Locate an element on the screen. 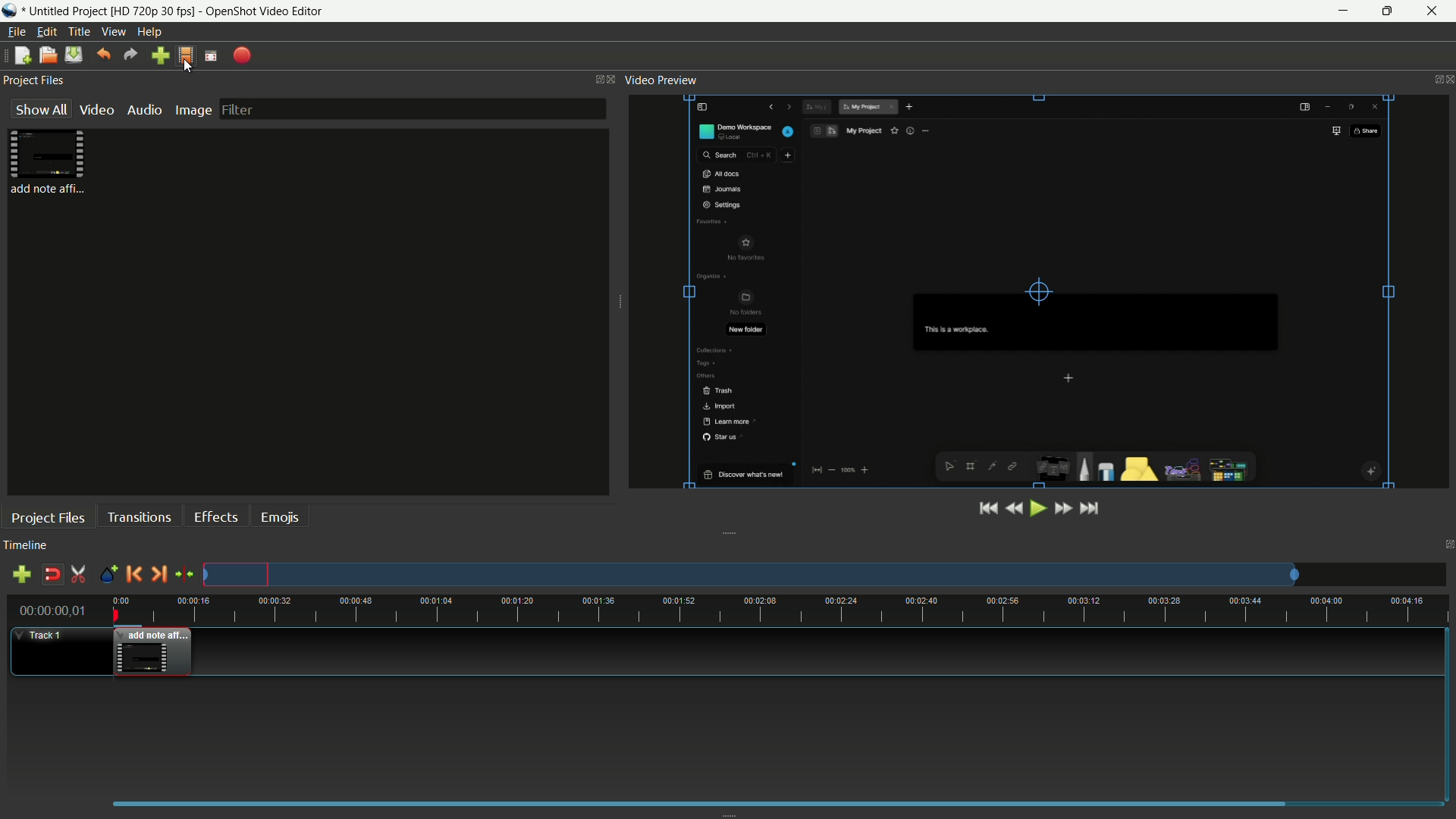 Image resolution: width=1456 pixels, height=819 pixels. disable snap is located at coordinates (52, 574).